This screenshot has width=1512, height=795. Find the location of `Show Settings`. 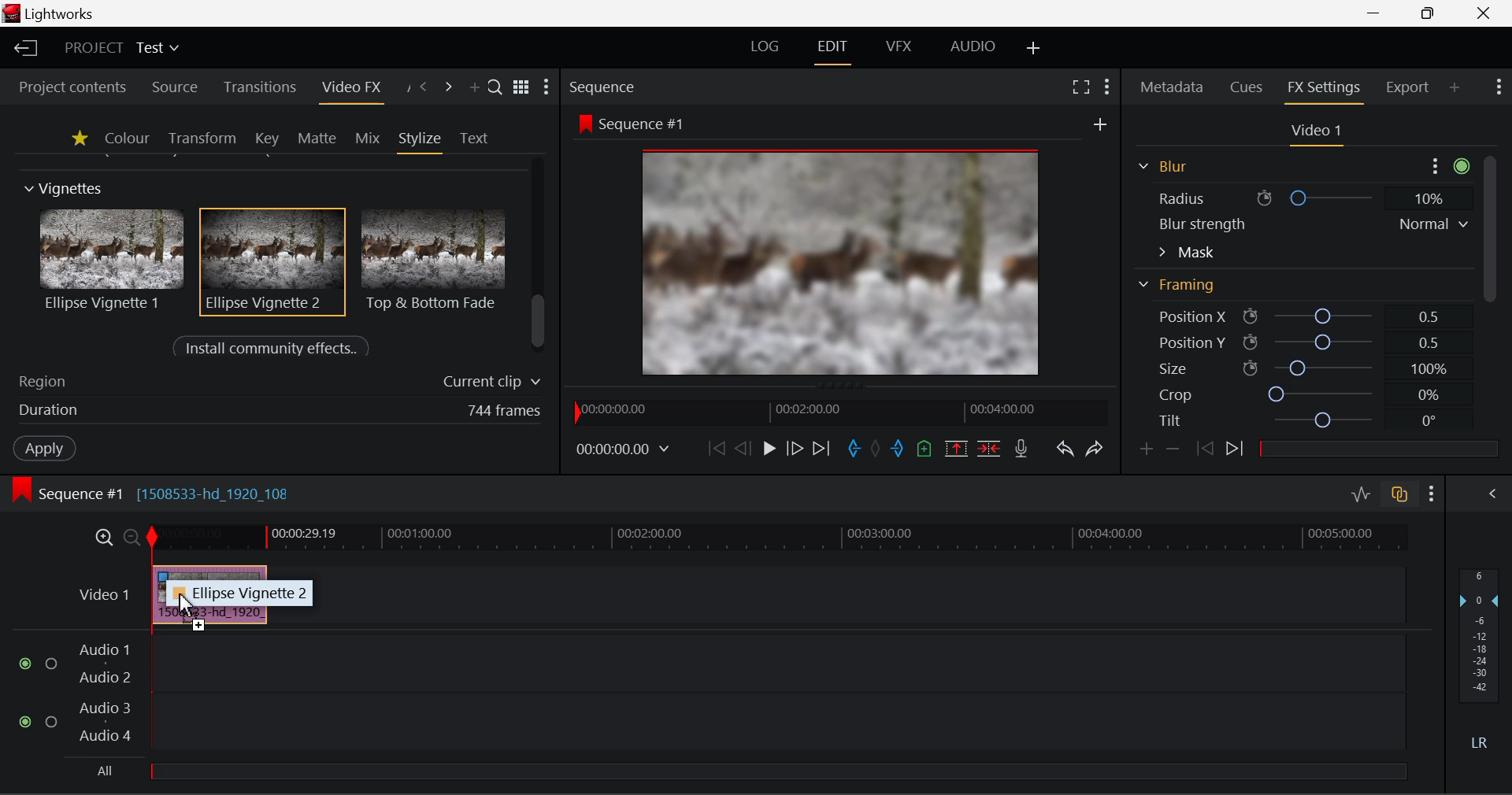

Show Settings is located at coordinates (1107, 85).